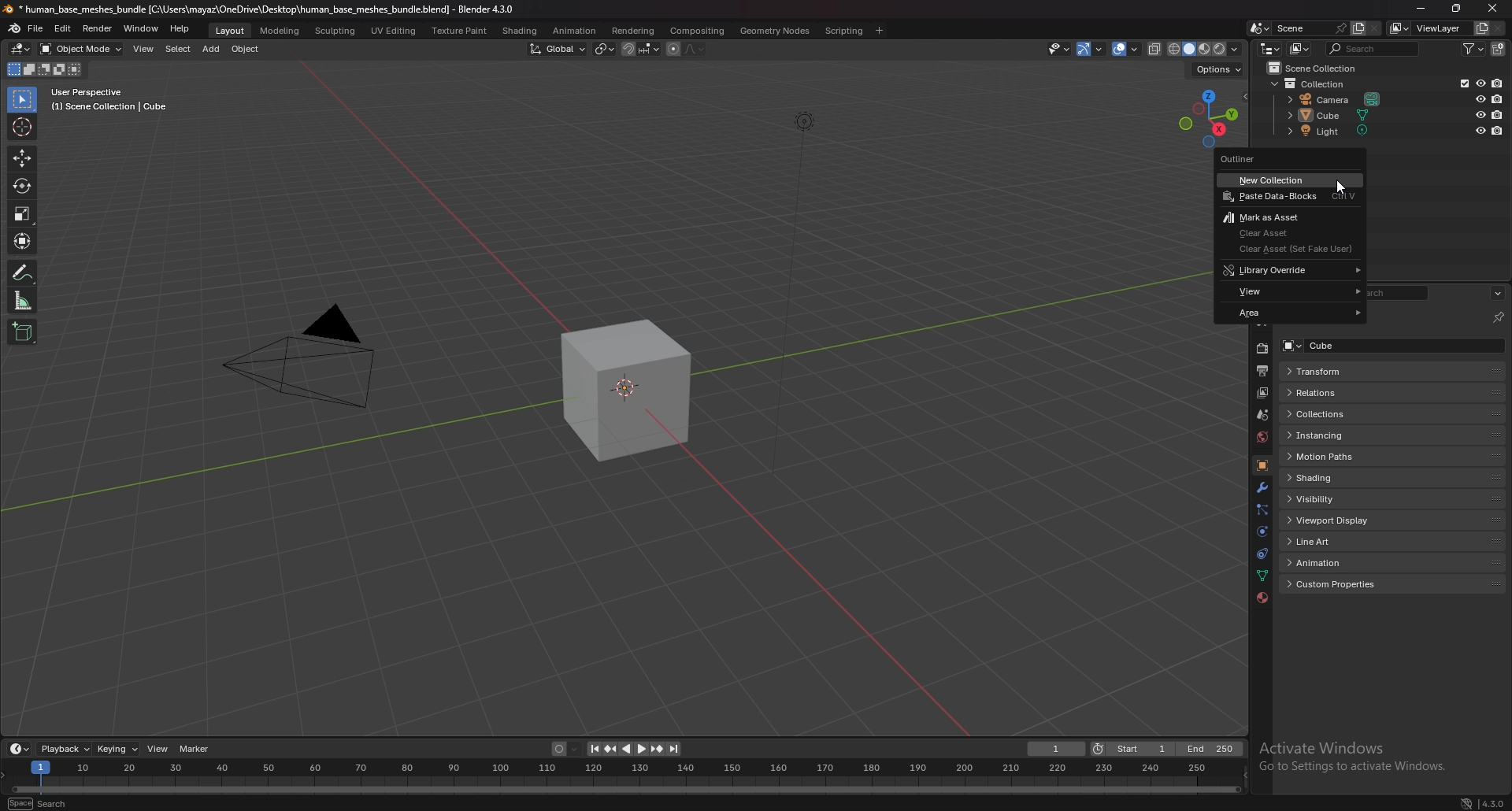  What do you see at coordinates (1500, 48) in the screenshot?
I see `new collection` at bounding box center [1500, 48].